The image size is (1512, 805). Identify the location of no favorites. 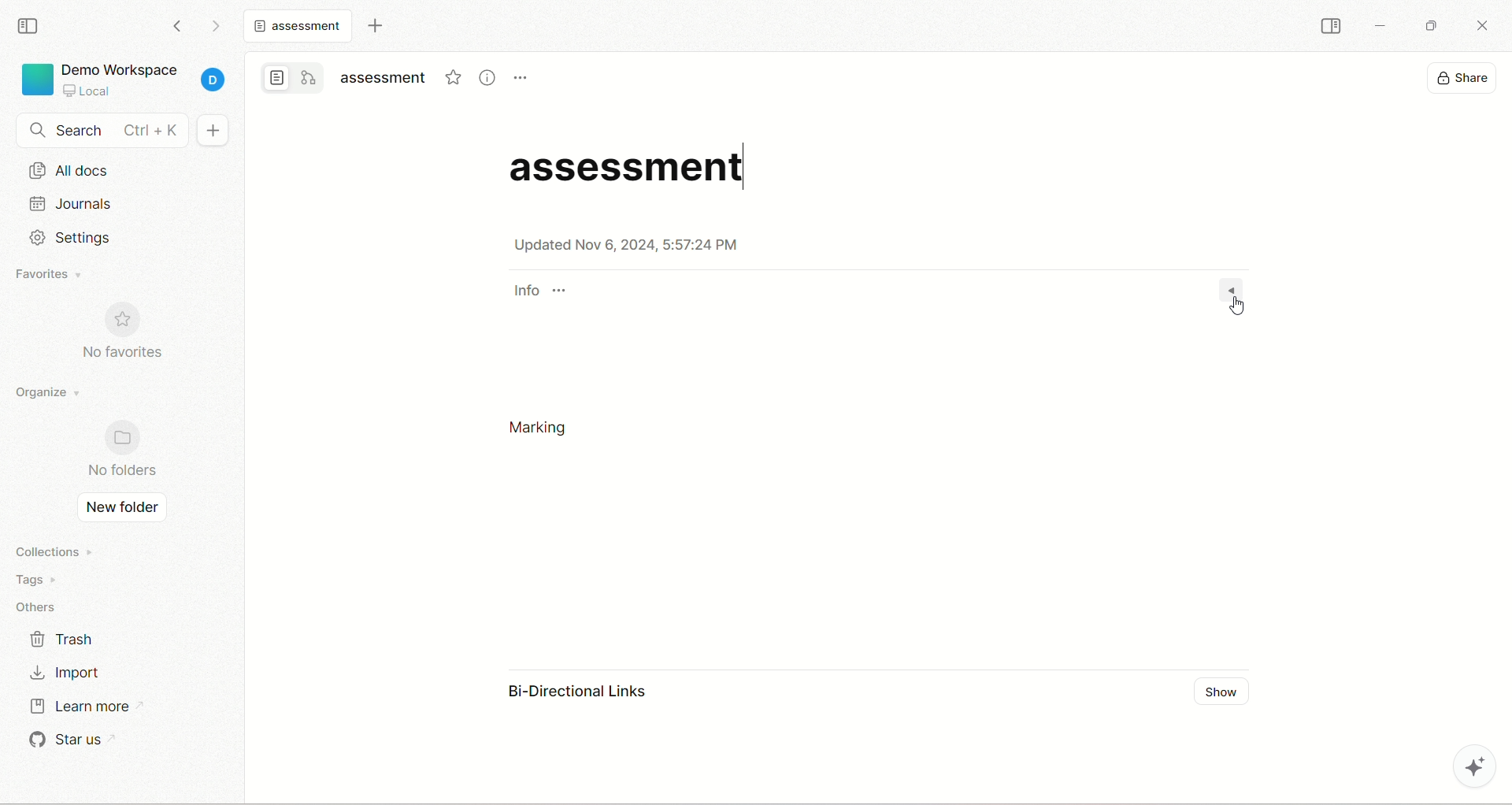
(127, 352).